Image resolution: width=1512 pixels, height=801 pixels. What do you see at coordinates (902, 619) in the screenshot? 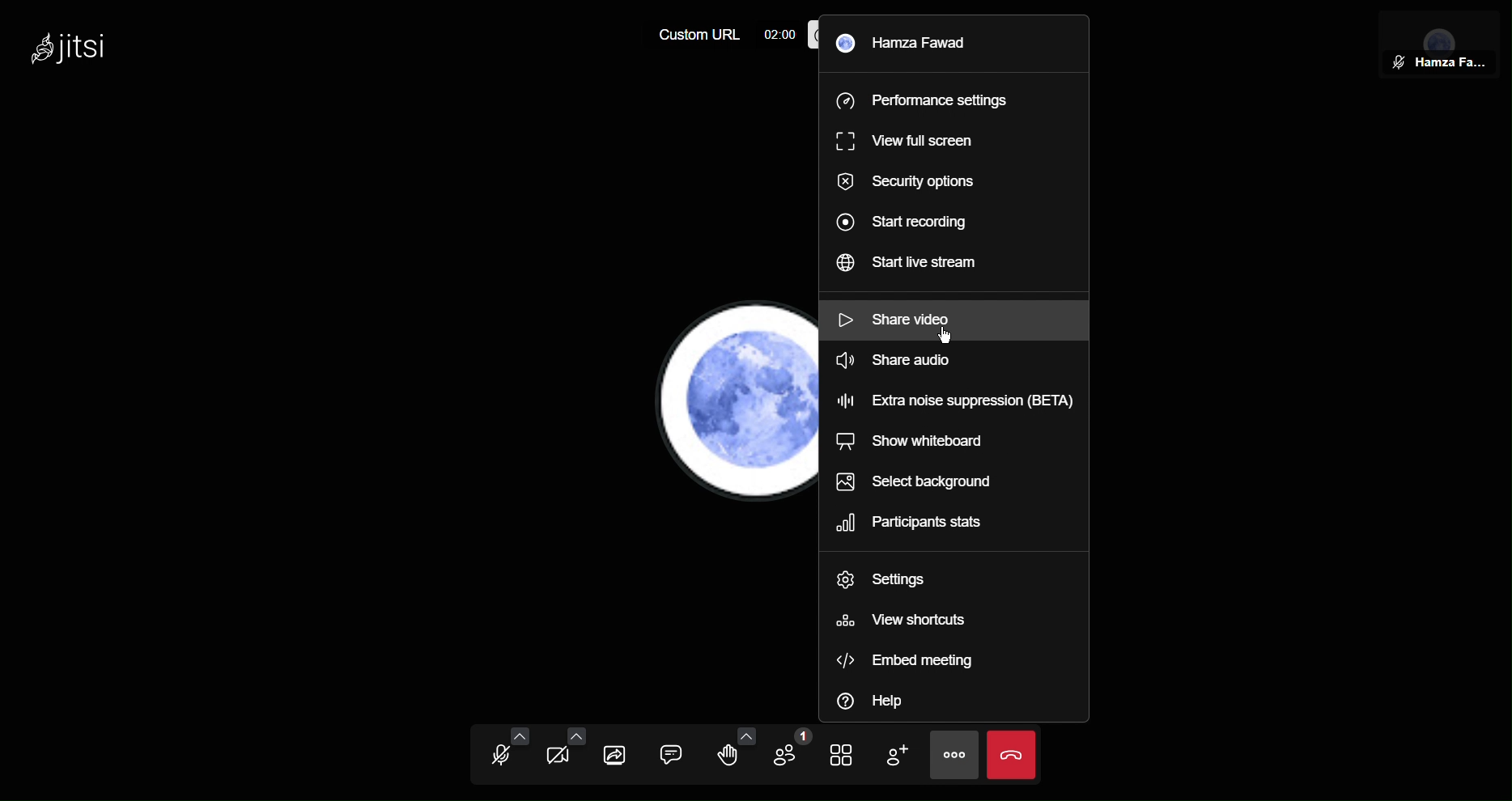
I see `View shortcuts` at bounding box center [902, 619].